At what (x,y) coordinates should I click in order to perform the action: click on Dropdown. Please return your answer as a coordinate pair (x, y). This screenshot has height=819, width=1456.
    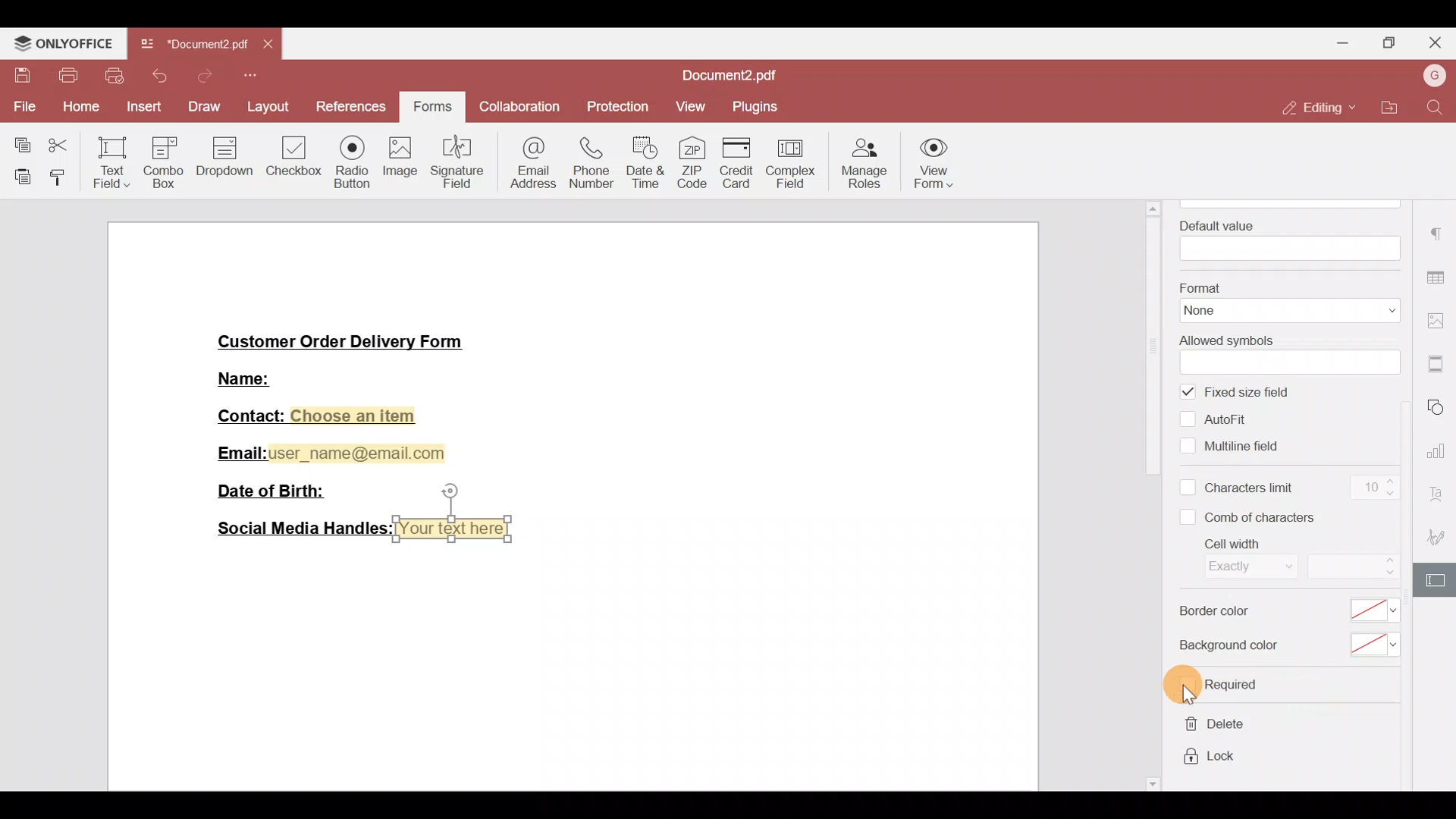
    Looking at the image, I should click on (227, 158).